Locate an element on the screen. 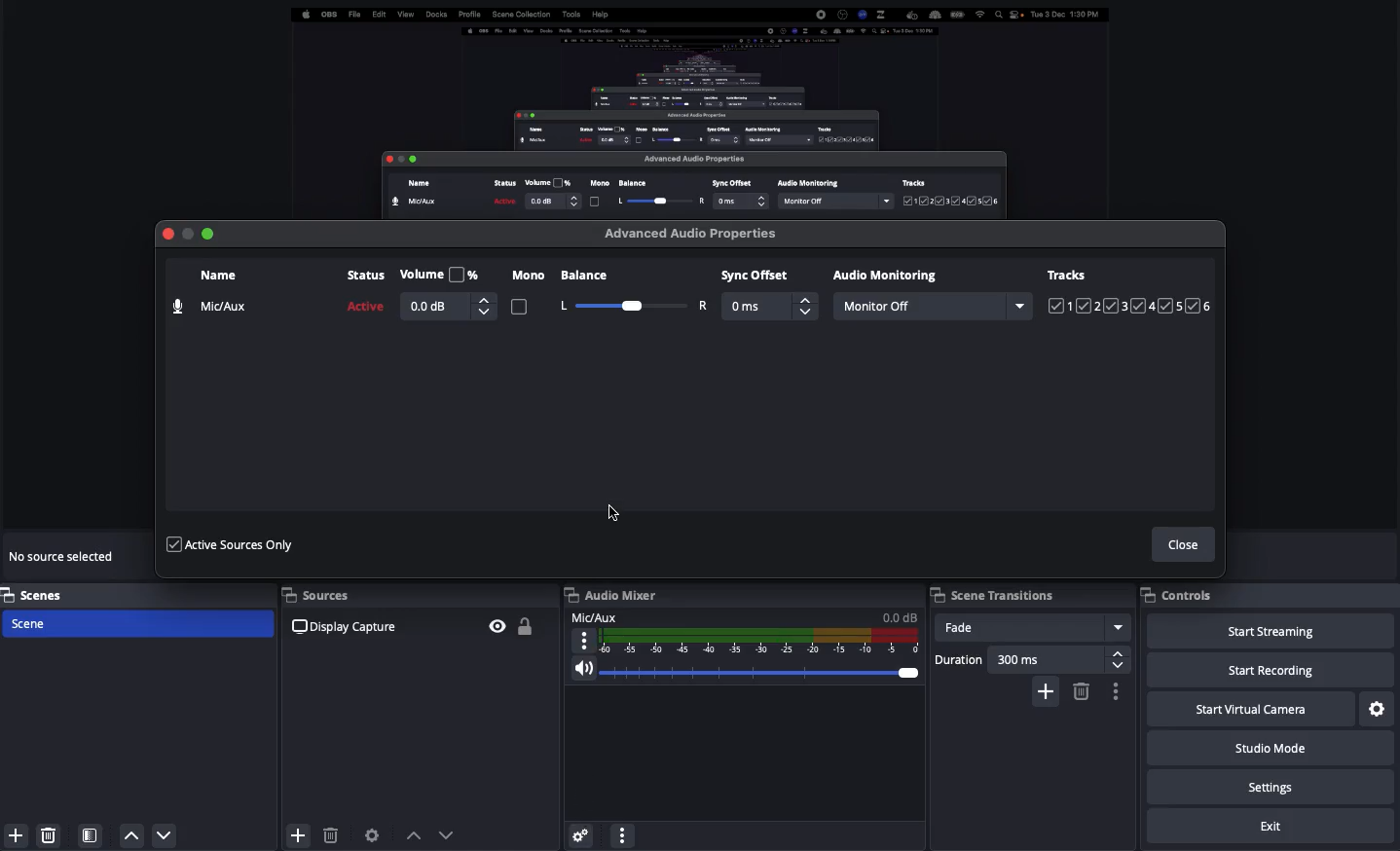  Options is located at coordinates (1117, 690).